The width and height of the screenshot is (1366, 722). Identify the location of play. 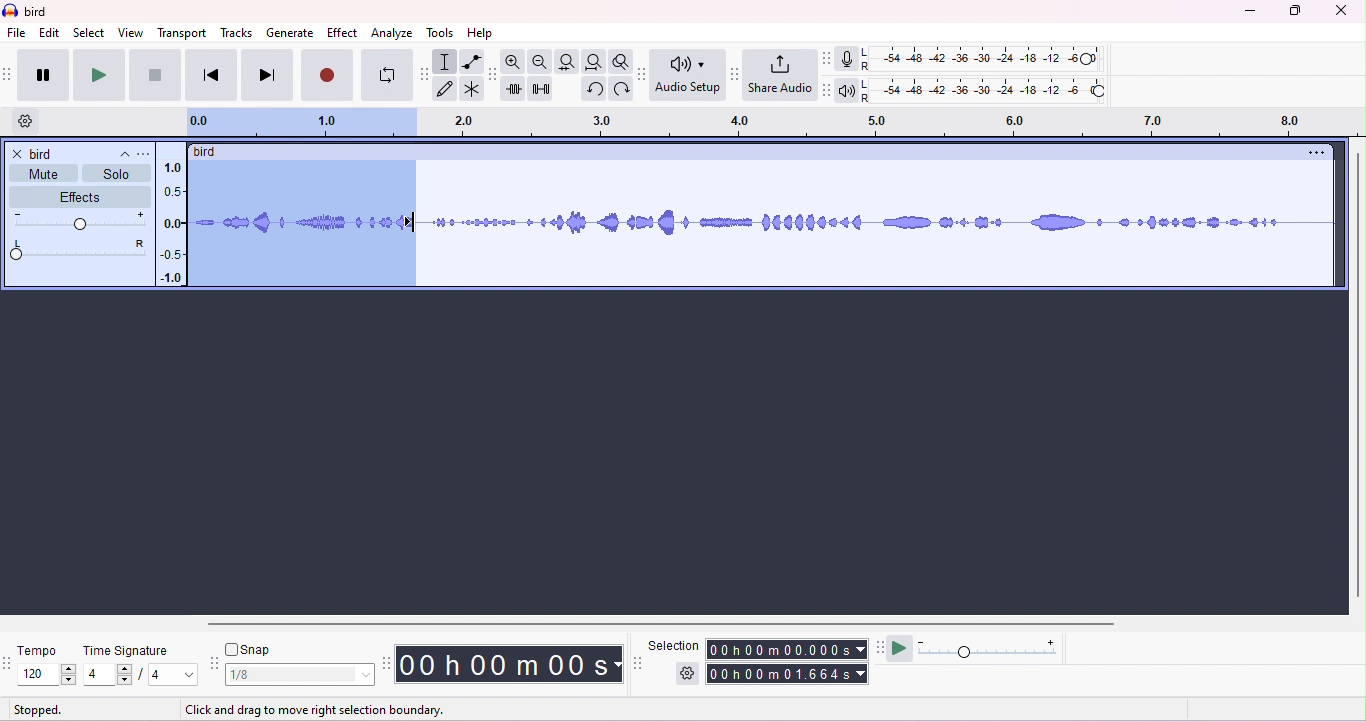
(99, 76).